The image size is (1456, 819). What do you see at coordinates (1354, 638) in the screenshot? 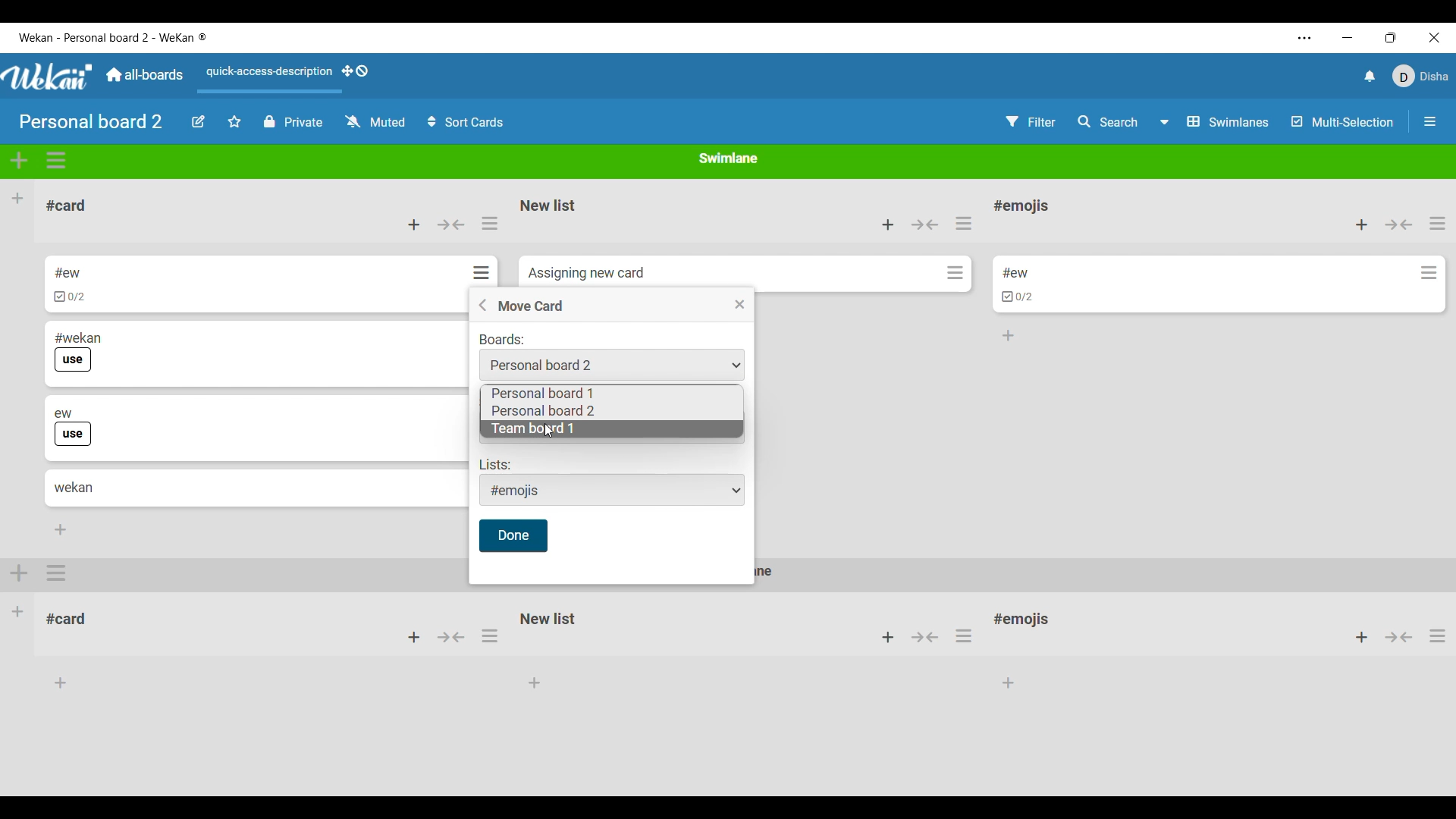
I see `add` at bounding box center [1354, 638].